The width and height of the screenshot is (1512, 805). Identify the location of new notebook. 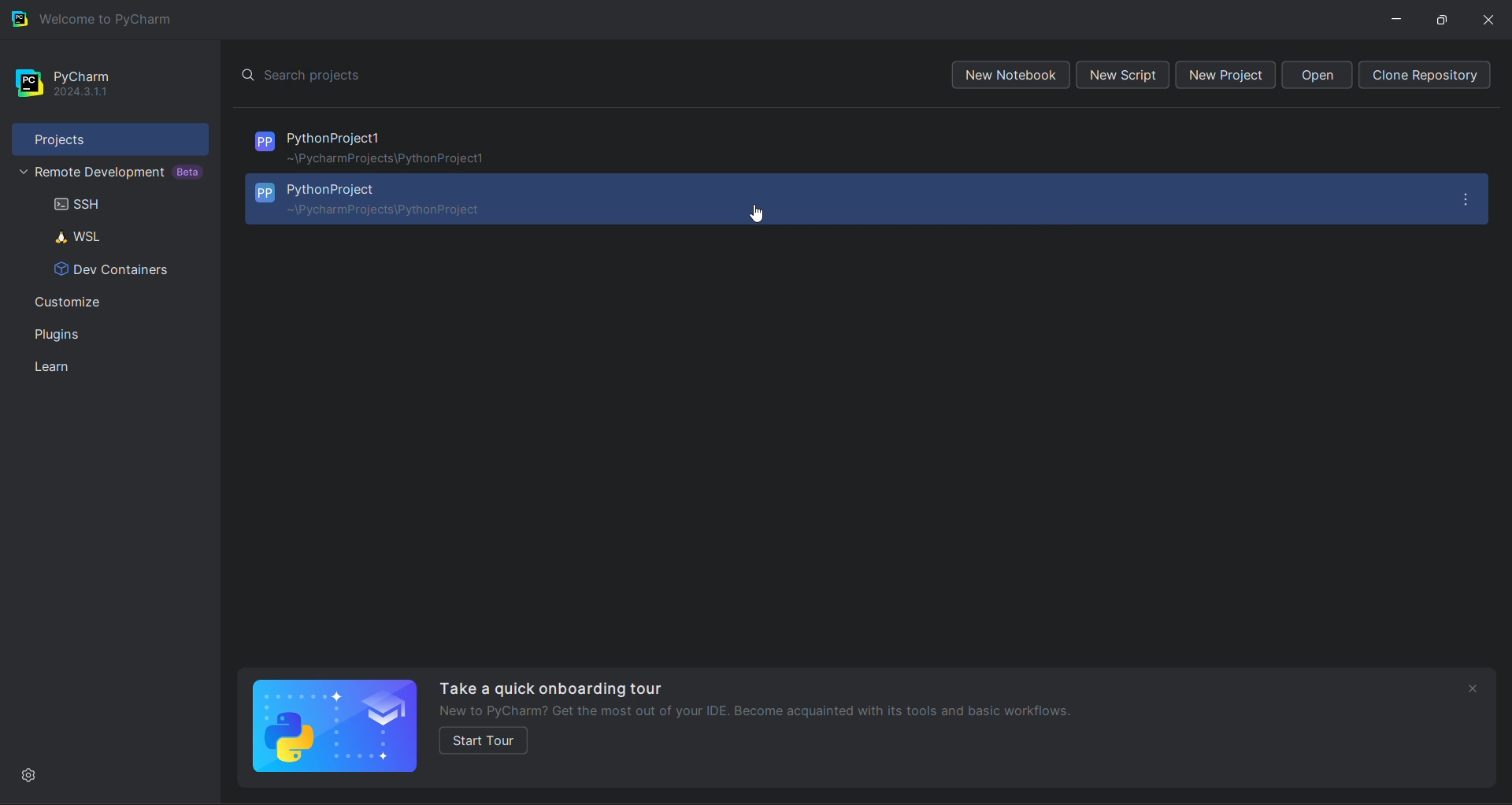
(1008, 76).